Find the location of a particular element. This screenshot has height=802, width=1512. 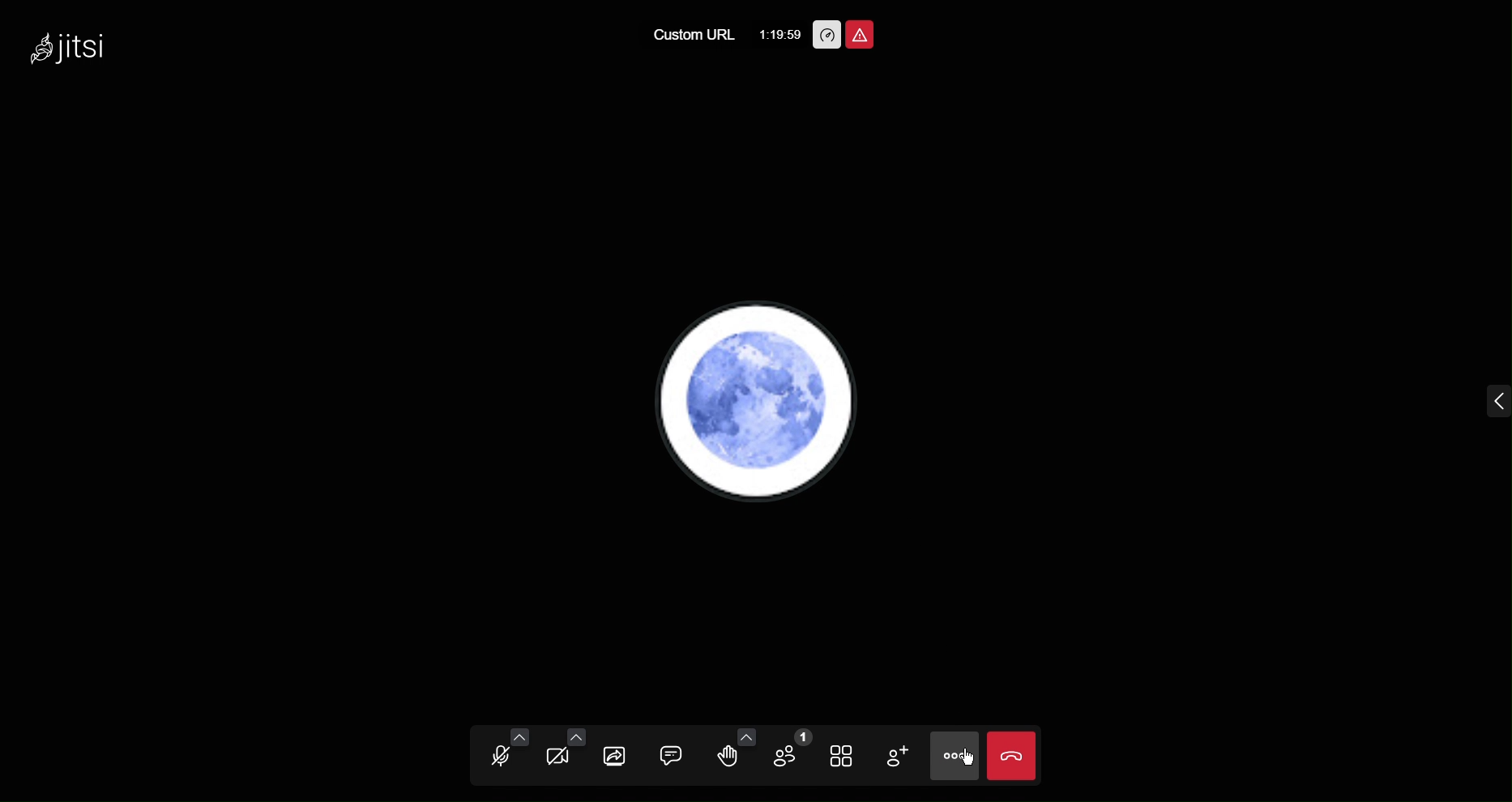

menu is located at coordinates (1493, 401).